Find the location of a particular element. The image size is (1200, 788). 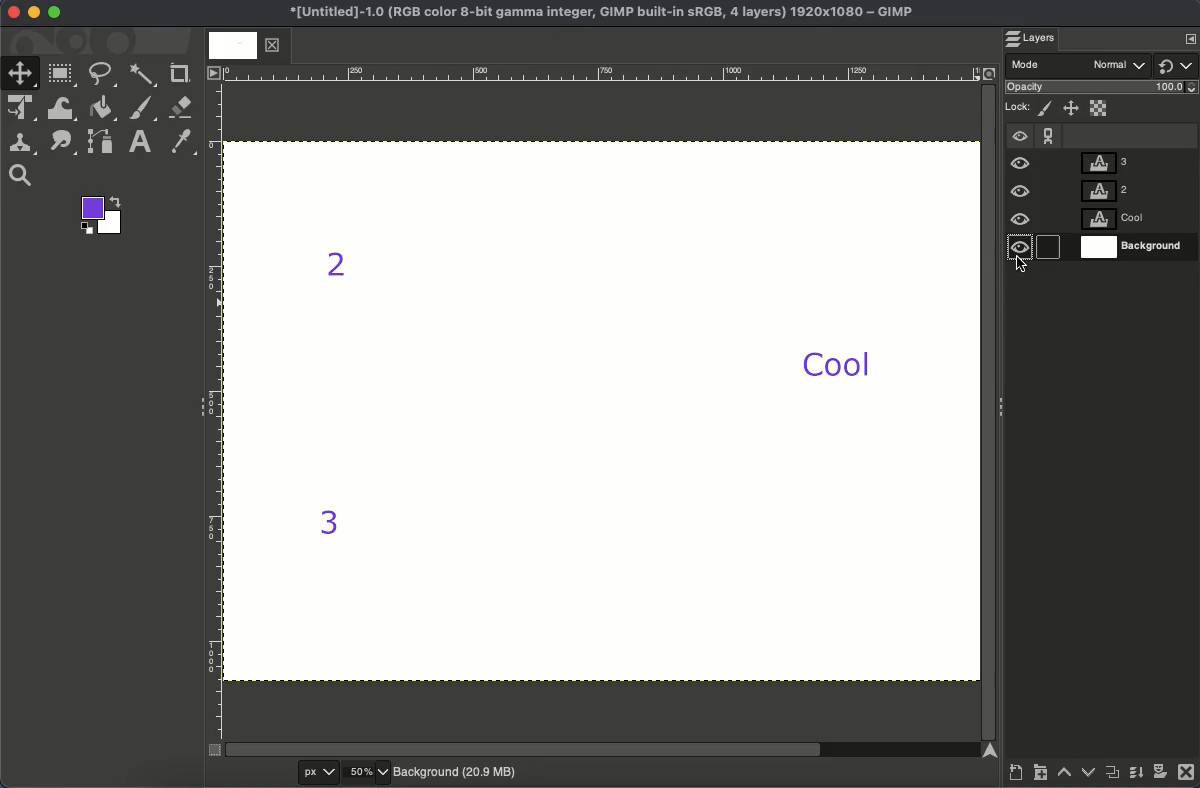

Crop is located at coordinates (181, 72).